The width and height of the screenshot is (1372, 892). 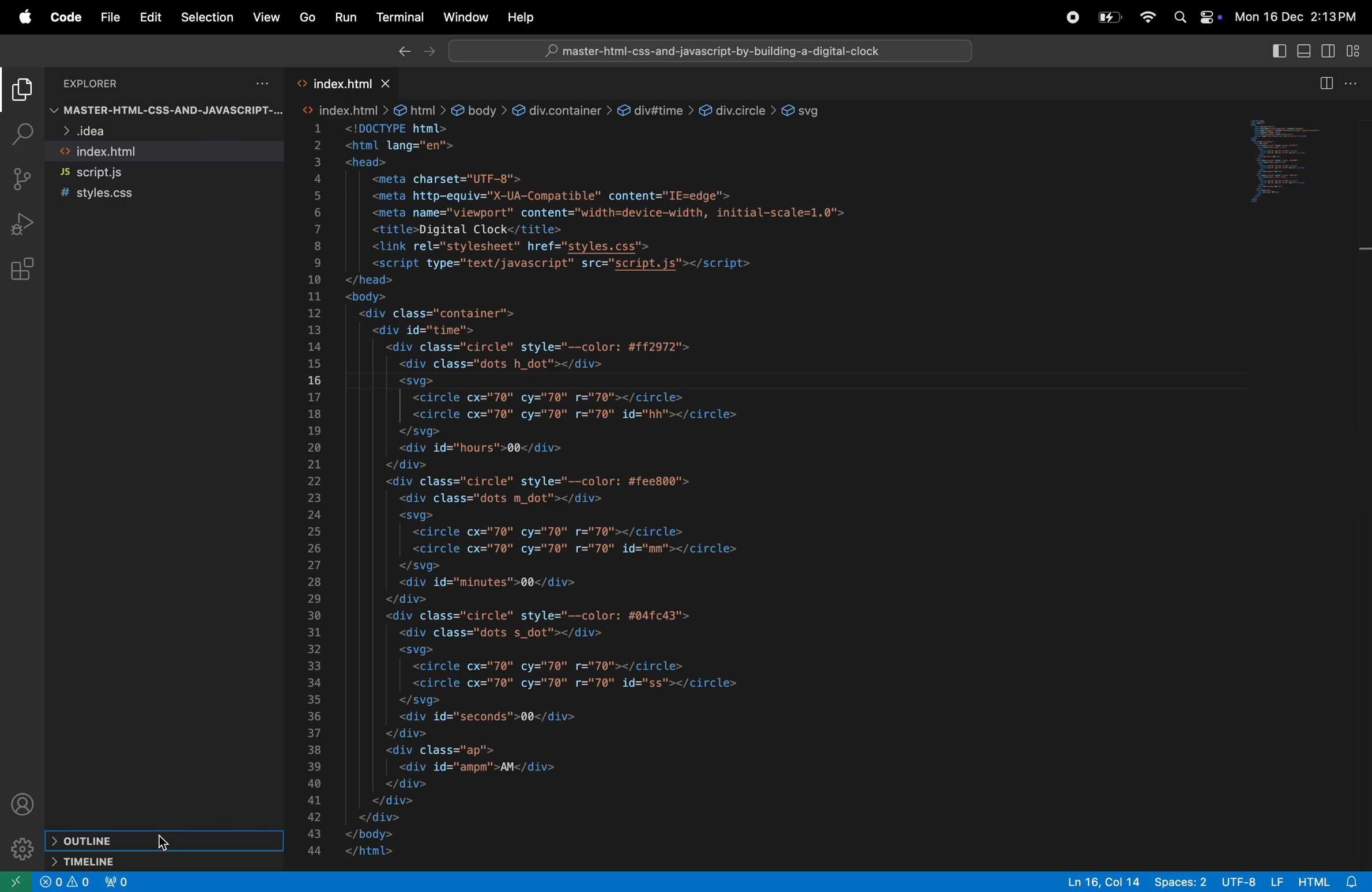 What do you see at coordinates (805, 110) in the screenshot?
I see `svg` at bounding box center [805, 110].